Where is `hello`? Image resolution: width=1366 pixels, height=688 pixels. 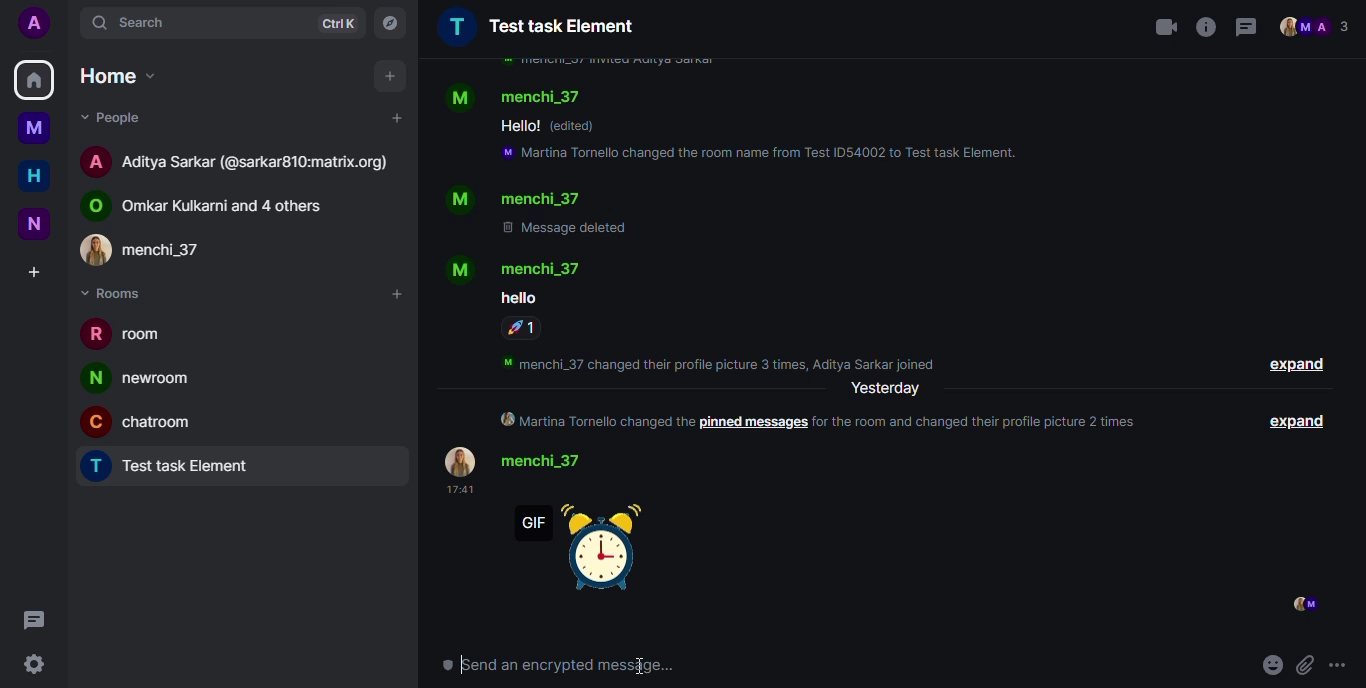 hello is located at coordinates (518, 297).